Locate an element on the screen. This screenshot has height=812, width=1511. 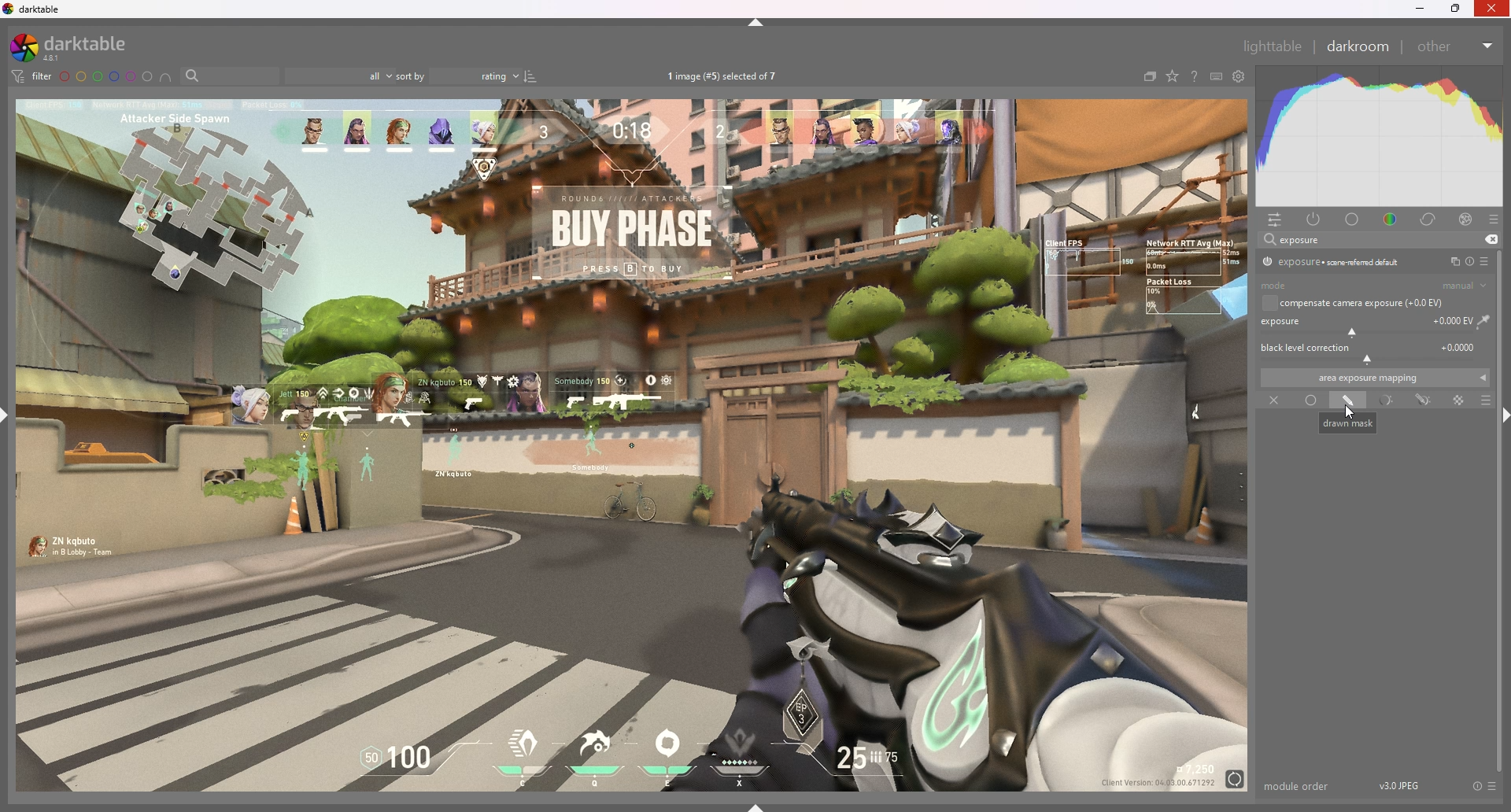
base is located at coordinates (1353, 220).